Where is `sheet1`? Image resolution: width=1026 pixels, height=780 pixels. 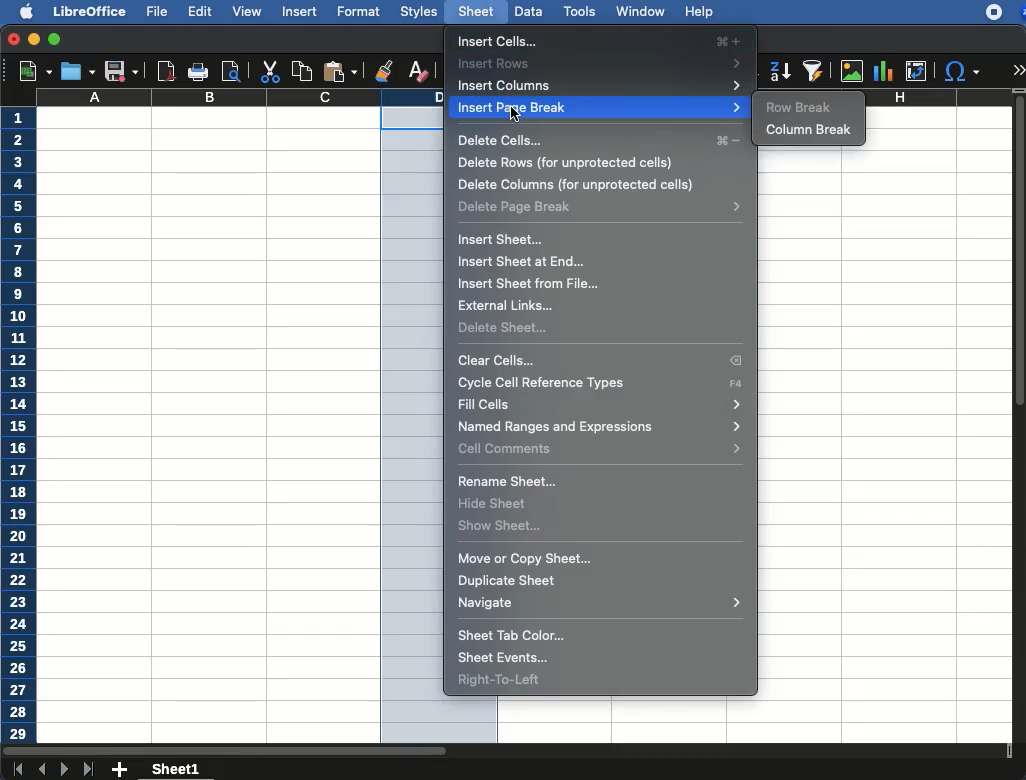 sheet1 is located at coordinates (177, 770).